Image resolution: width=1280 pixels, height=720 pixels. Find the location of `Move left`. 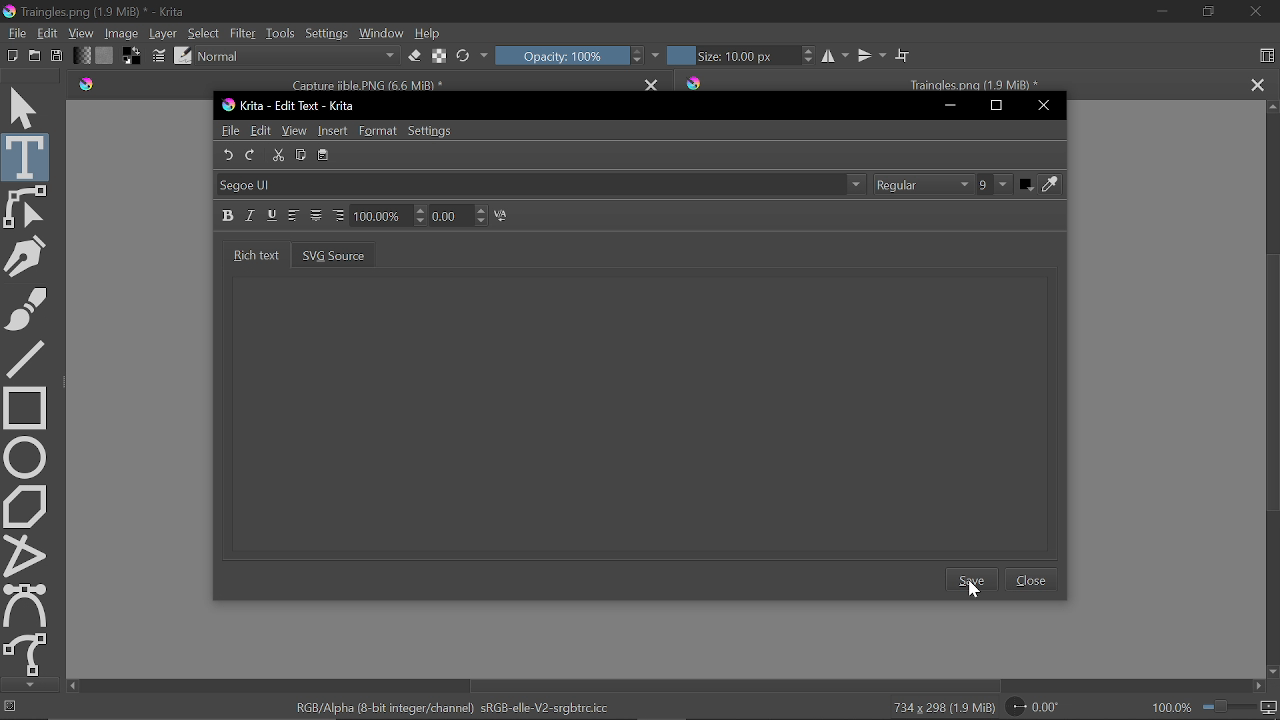

Move left is located at coordinates (72, 687).